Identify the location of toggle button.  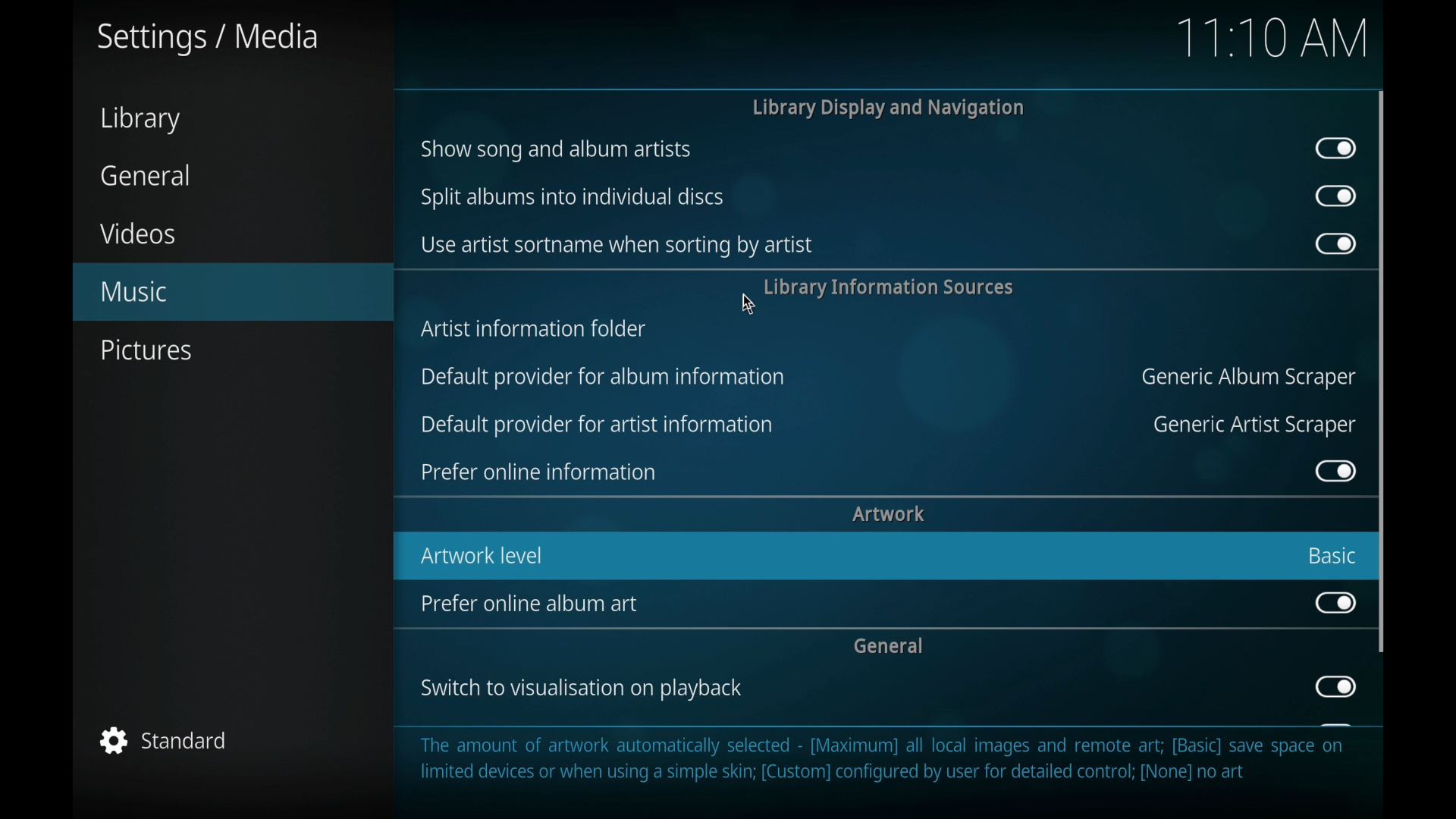
(1336, 148).